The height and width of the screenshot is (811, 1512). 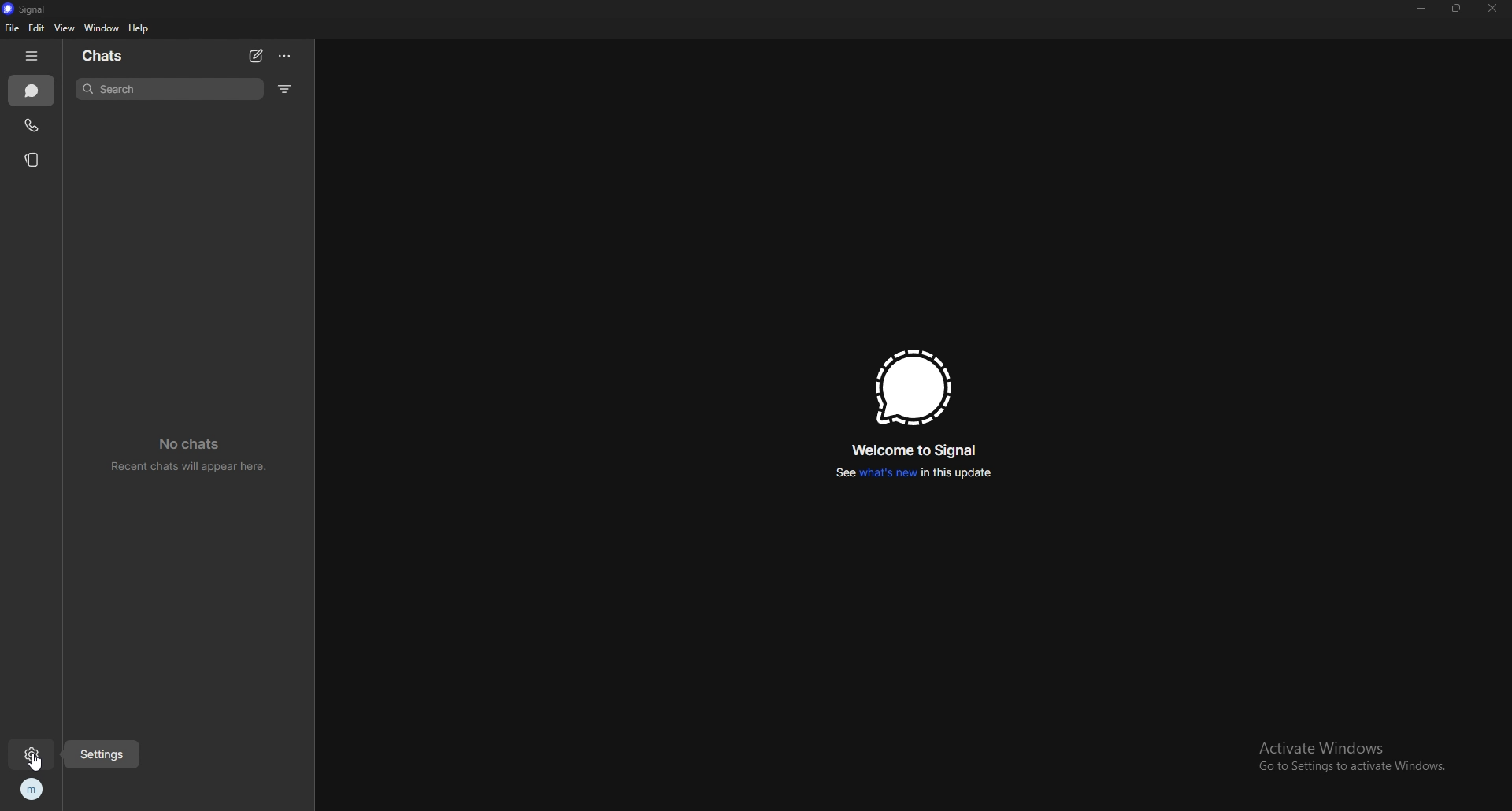 What do you see at coordinates (12, 28) in the screenshot?
I see `file` at bounding box center [12, 28].